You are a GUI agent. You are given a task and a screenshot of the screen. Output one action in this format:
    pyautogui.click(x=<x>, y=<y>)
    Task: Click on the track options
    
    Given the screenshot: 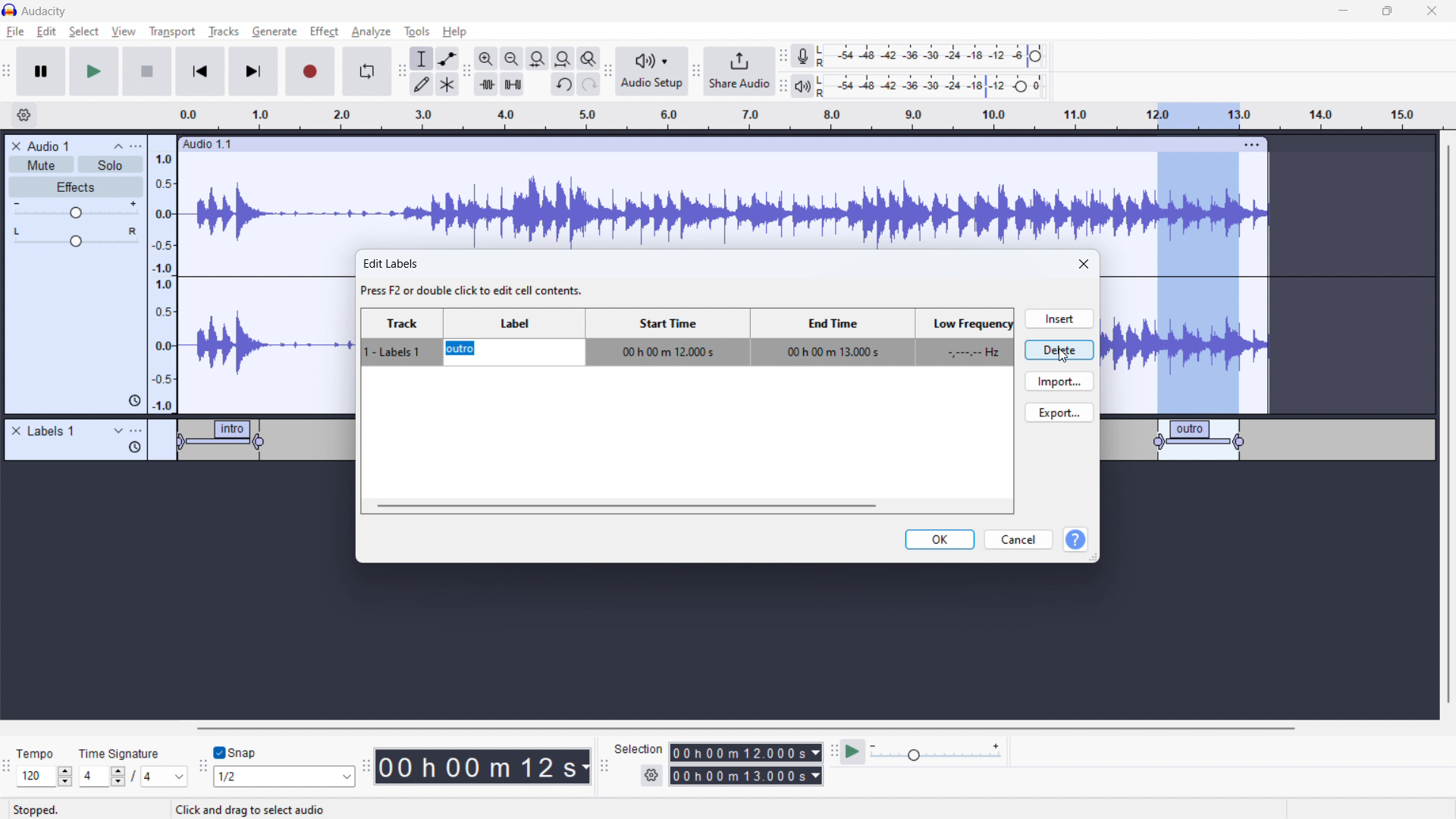 What is the action you would take?
    pyautogui.click(x=1254, y=143)
    